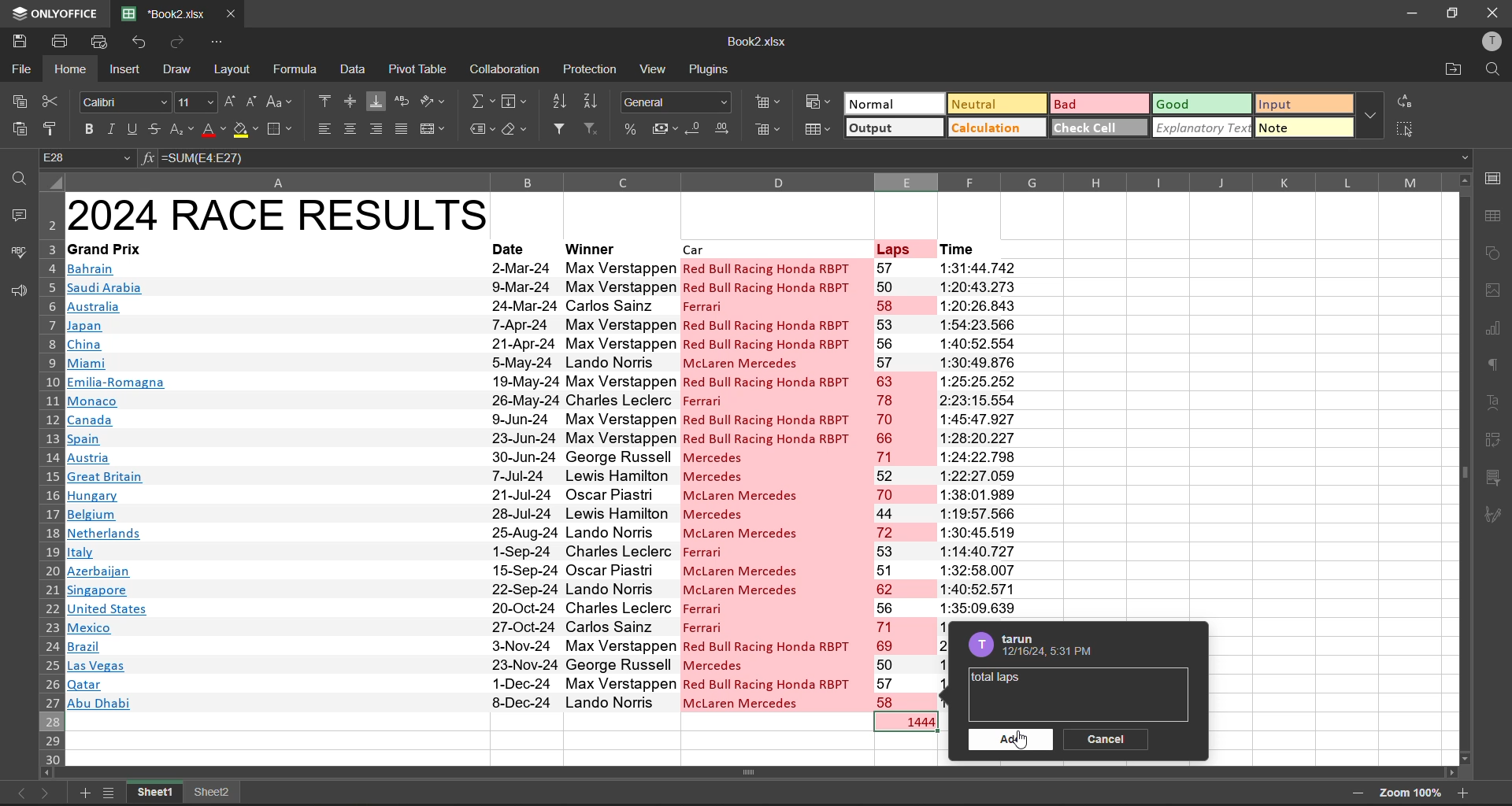  What do you see at coordinates (695, 128) in the screenshot?
I see `decrease decimal` at bounding box center [695, 128].